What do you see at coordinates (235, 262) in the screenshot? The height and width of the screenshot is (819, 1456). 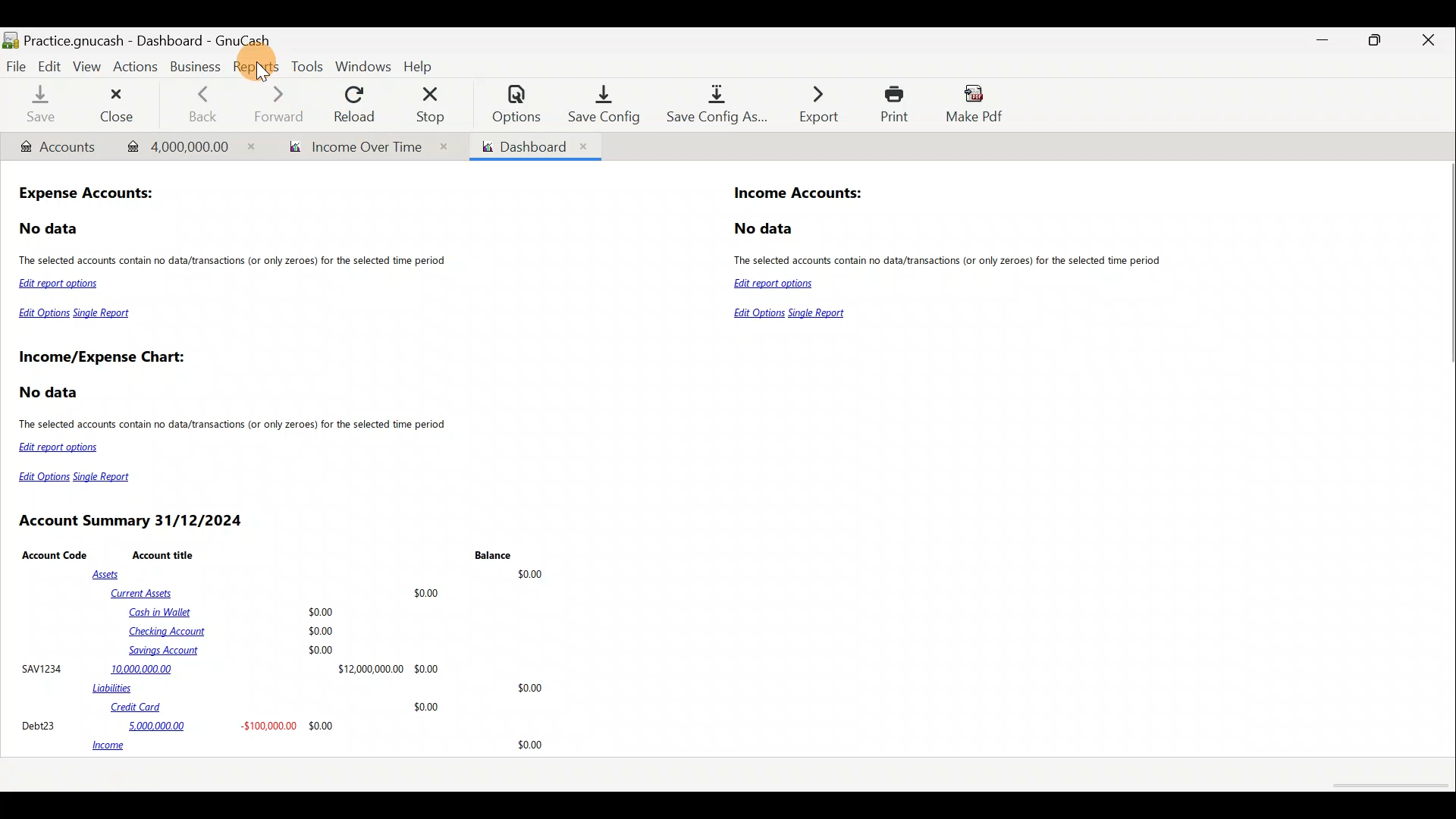 I see `The selected accounts contain no data/transactions (or only zeroes) for the selected time period` at bounding box center [235, 262].